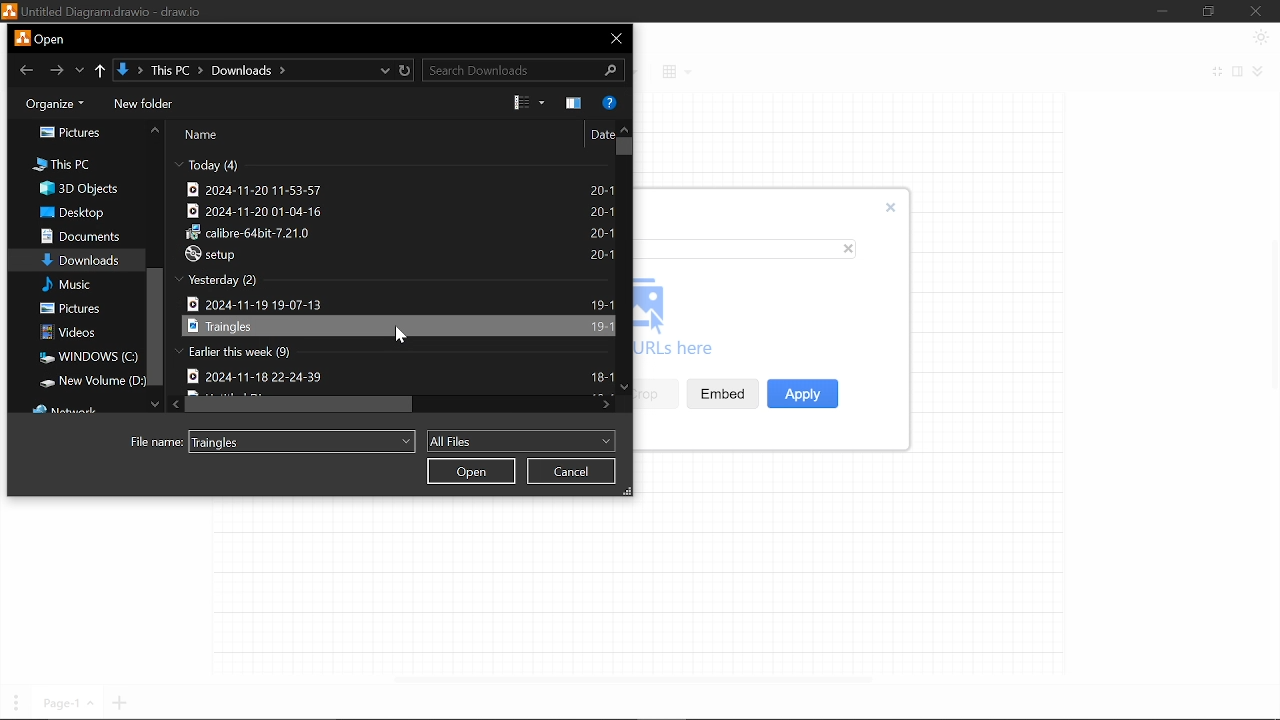 The image size is (1280, 720). Describe the element at coordinates (67, 282) in the screenshot. I see `Misc` at that location.